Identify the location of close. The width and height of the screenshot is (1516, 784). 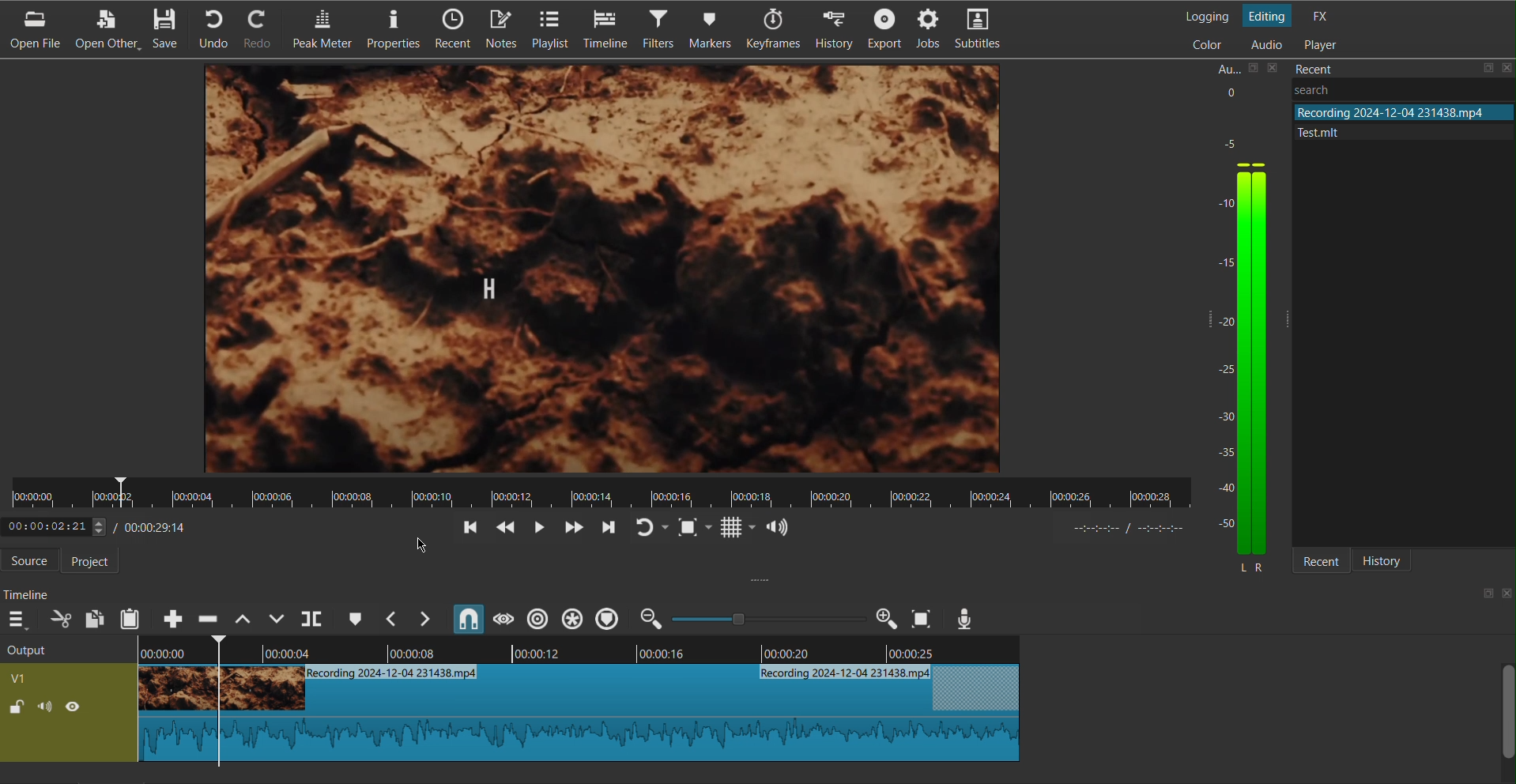
(1506, 594).